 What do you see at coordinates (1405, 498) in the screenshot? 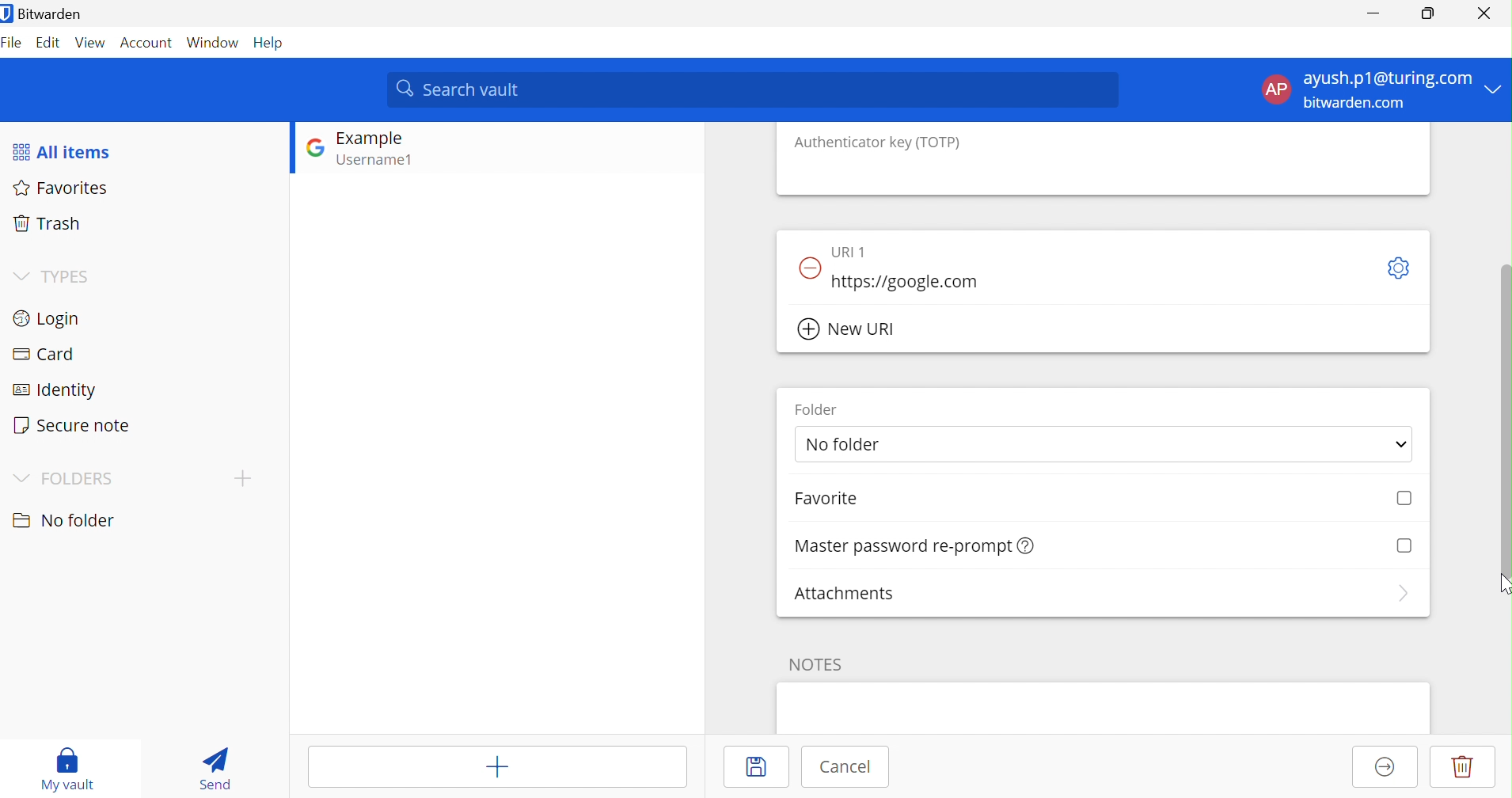
I see `Checkbox` at bounding box center [1405, 498].